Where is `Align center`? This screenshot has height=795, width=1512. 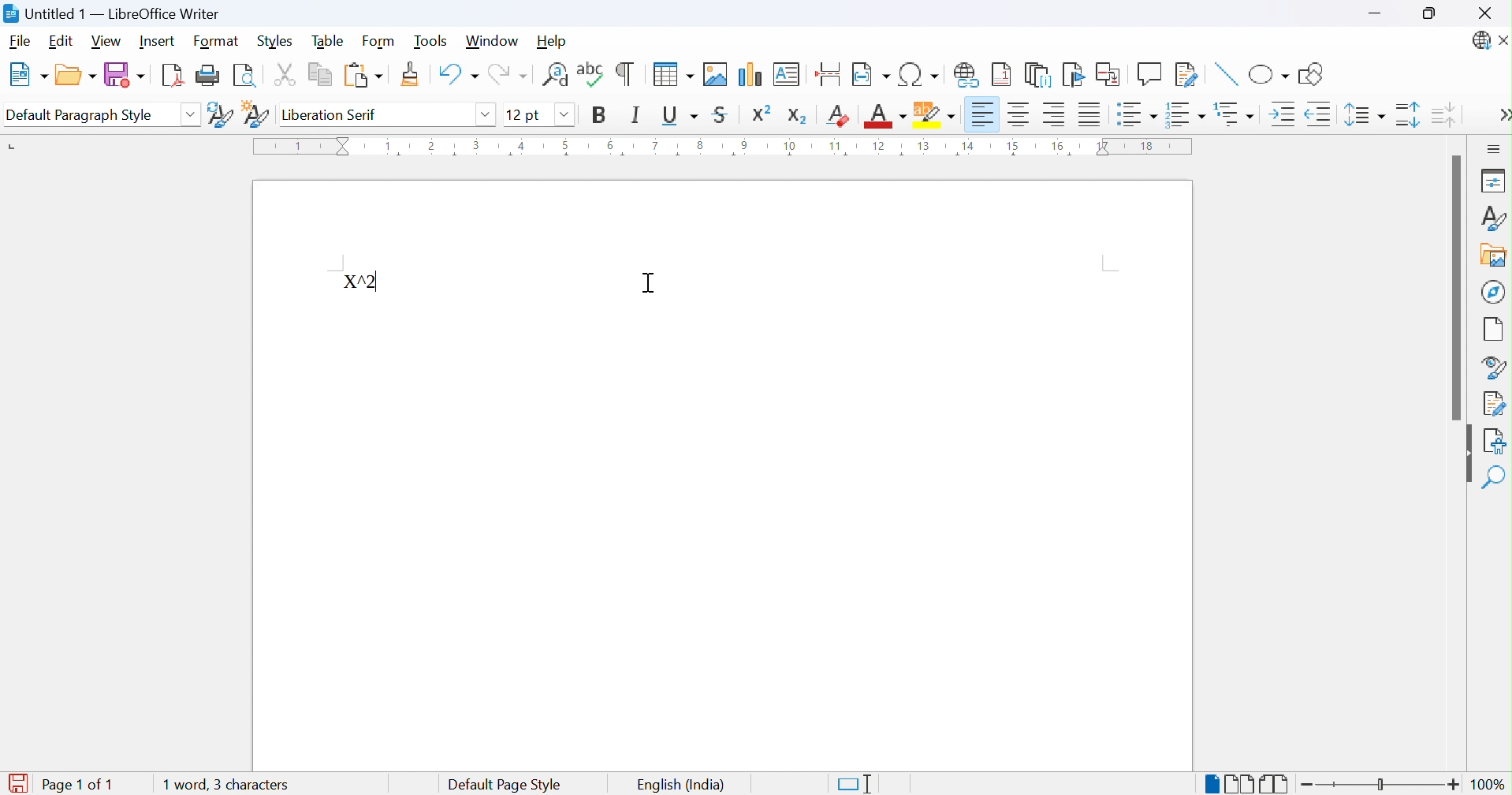 Align center is located at coordinates (1020, 117).